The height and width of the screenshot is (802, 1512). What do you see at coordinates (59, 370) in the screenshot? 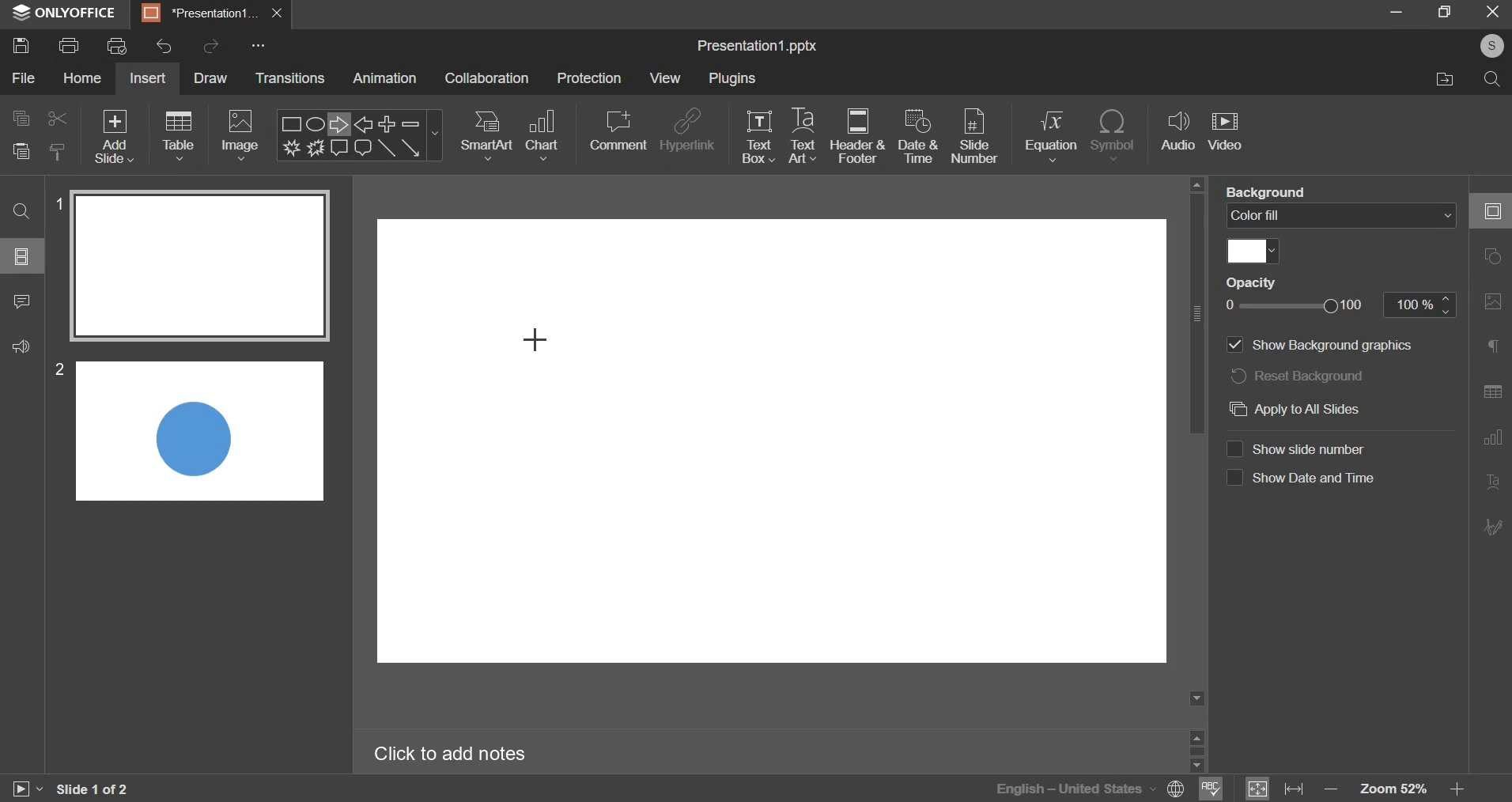
I see `2` at bounding box center [59, 370].